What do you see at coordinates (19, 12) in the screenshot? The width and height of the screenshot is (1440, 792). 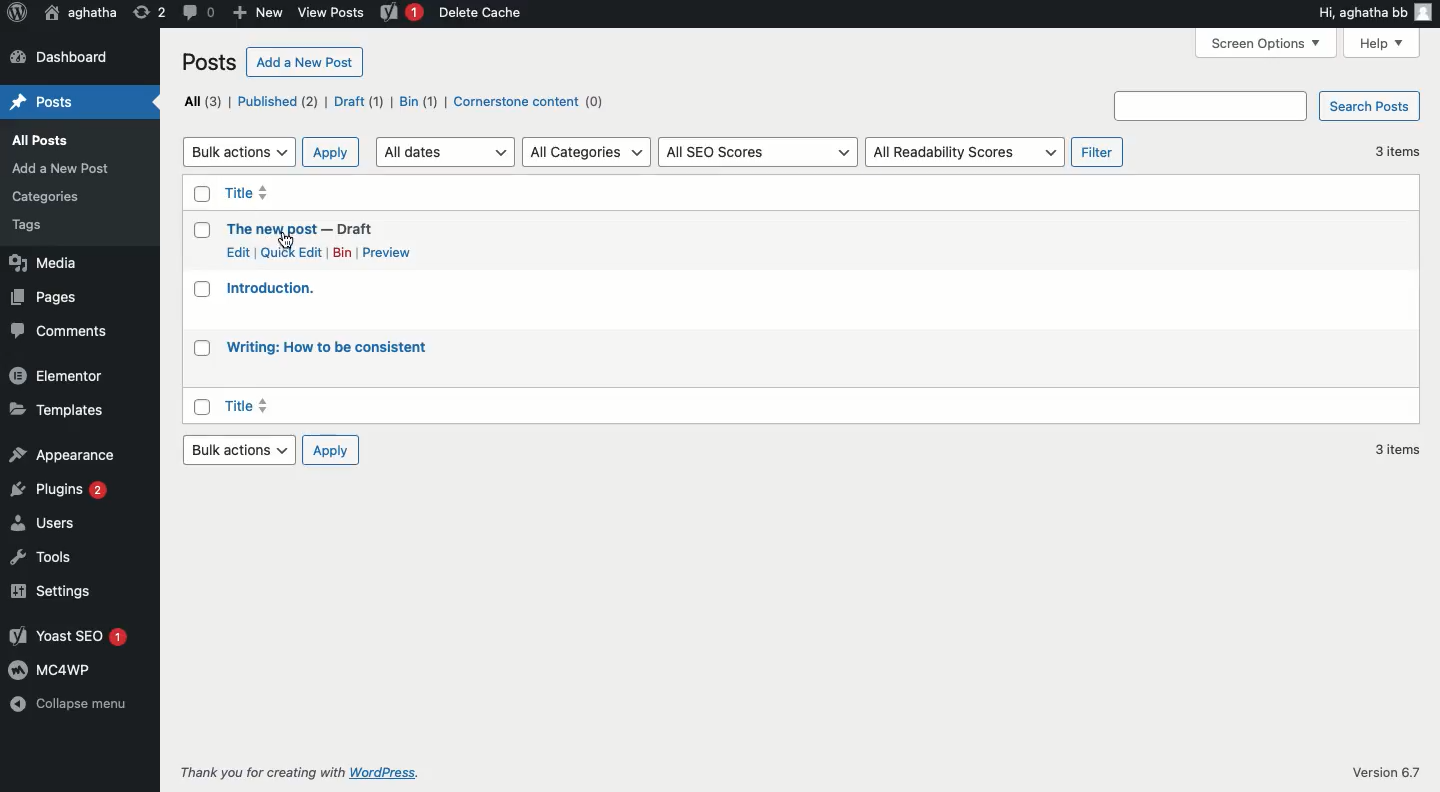 I see `Wordpress logo` at bounding box center [19, 12].